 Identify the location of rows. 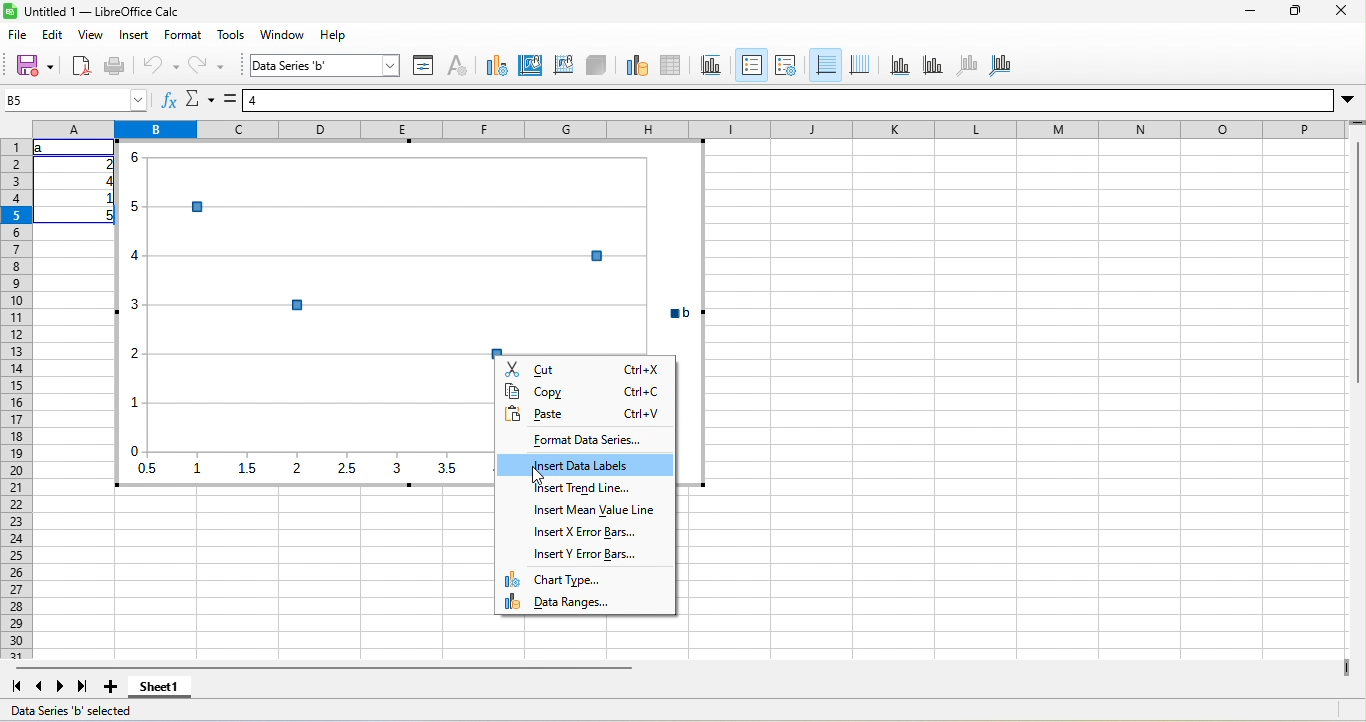
(16, 399).